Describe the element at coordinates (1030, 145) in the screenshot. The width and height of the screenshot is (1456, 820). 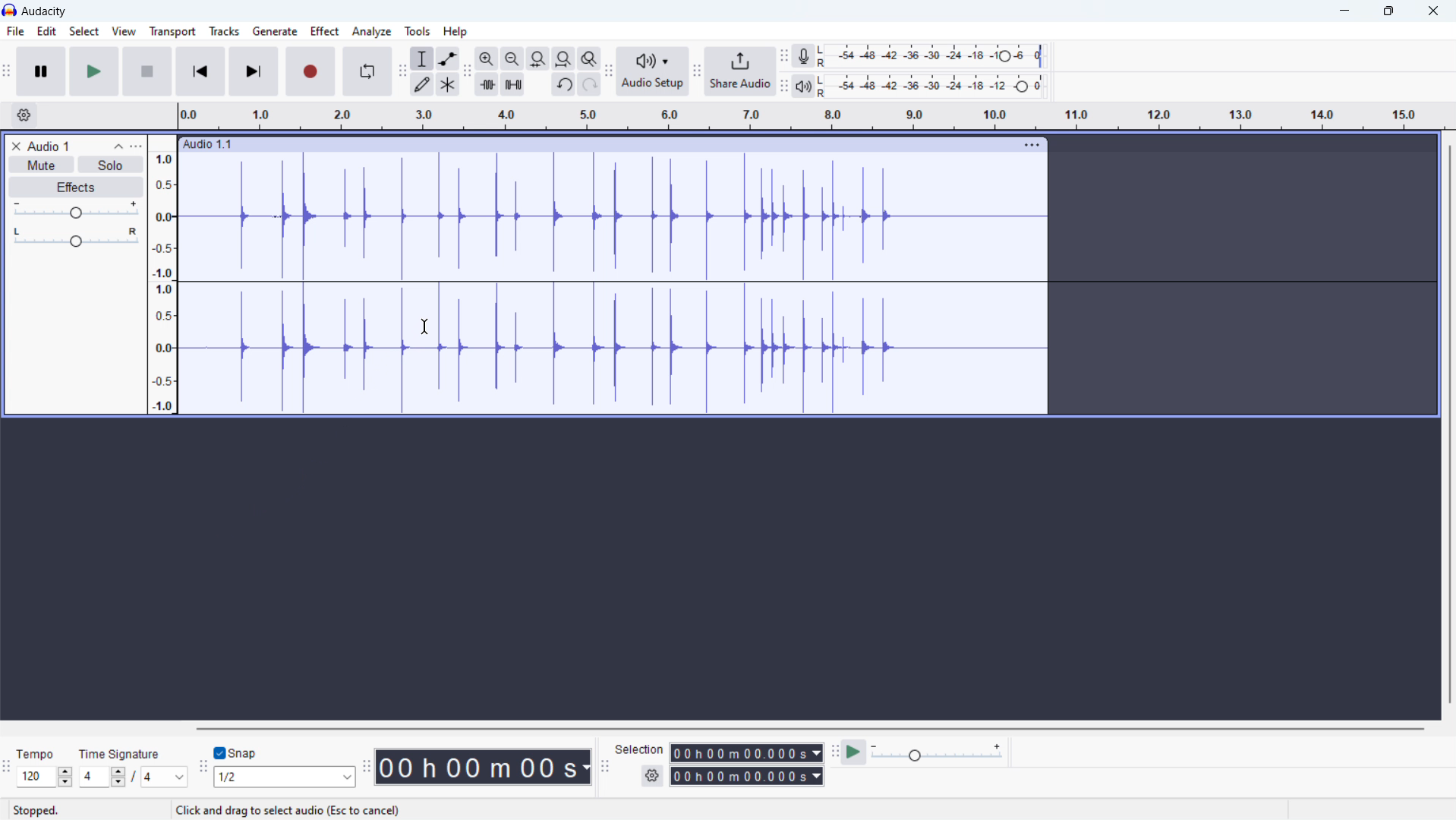
I see `menu` at that location.